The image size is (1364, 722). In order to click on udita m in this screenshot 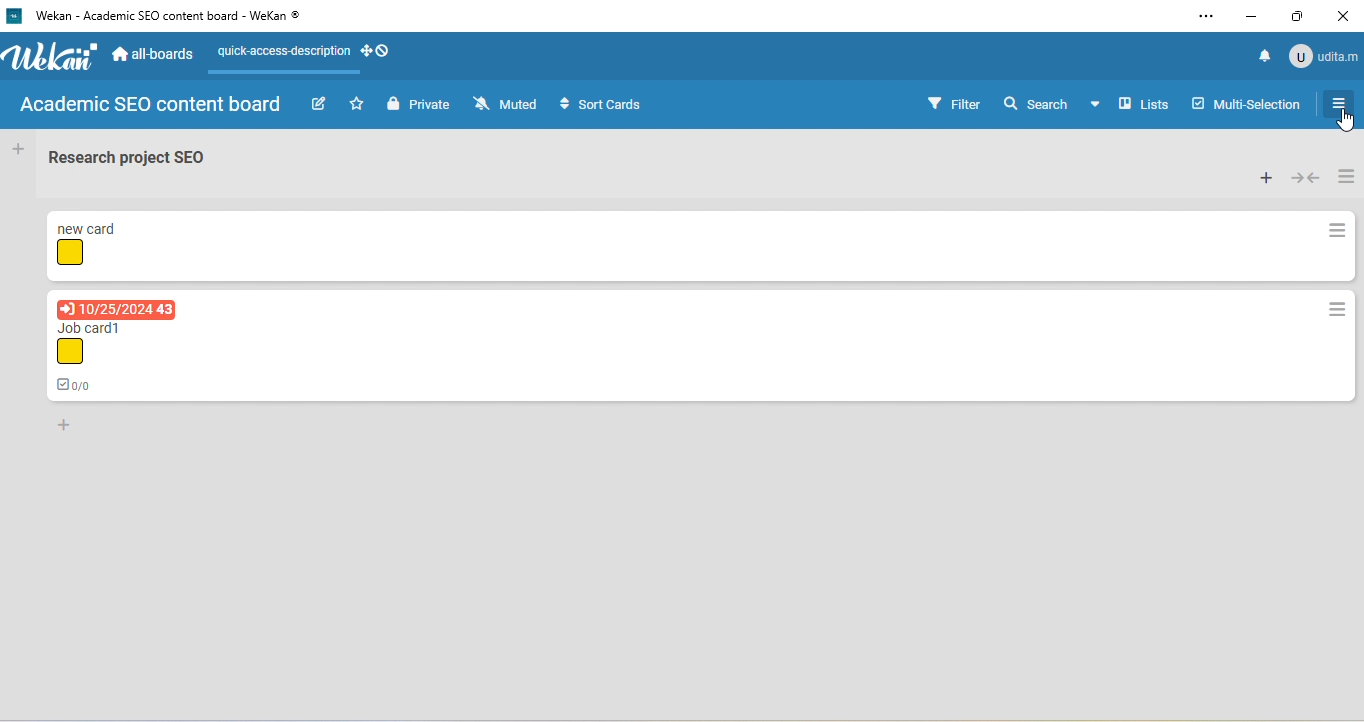, I will do `click(1326, 58)`.